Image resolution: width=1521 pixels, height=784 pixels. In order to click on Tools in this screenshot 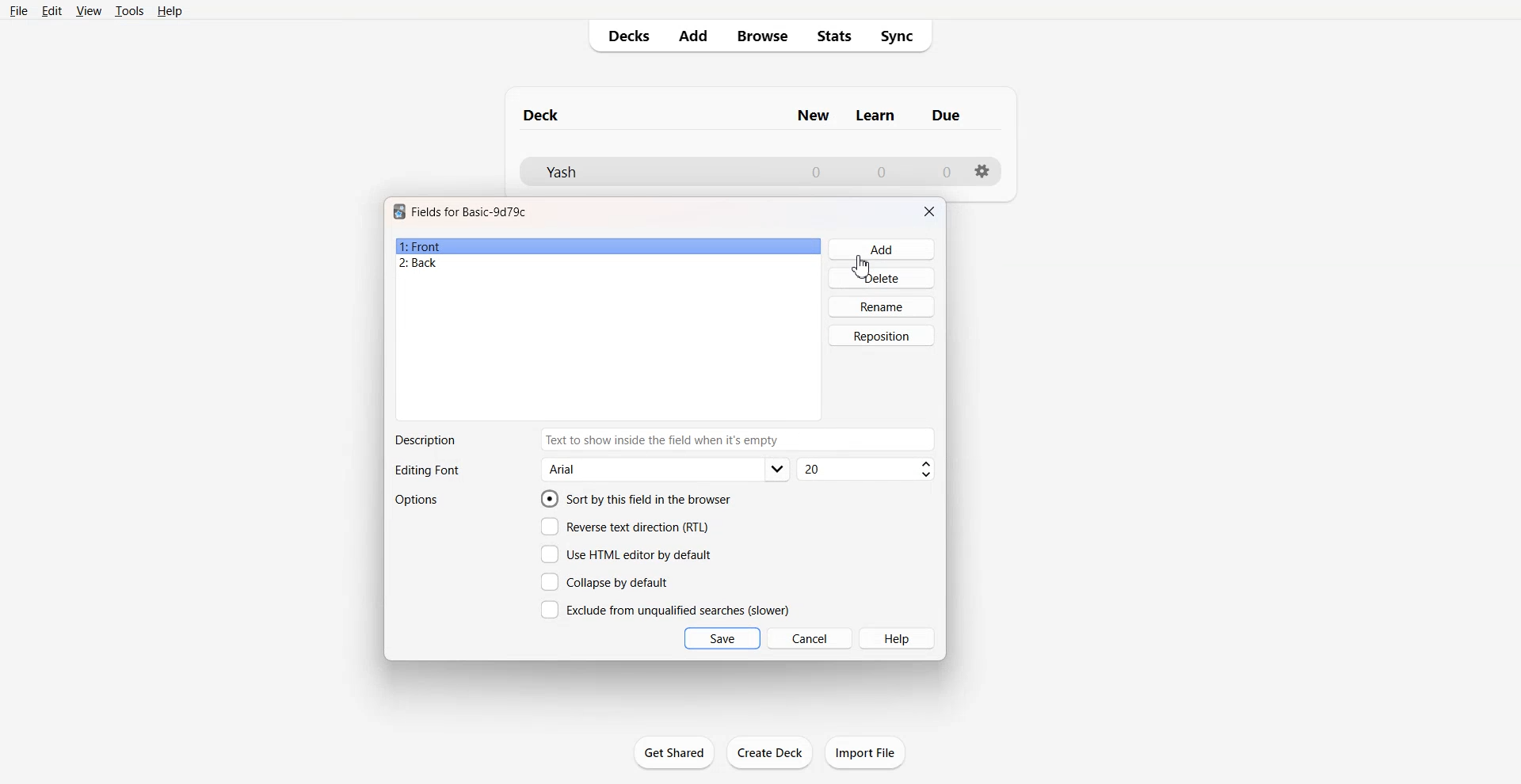, I will do `click(129, 10)`.